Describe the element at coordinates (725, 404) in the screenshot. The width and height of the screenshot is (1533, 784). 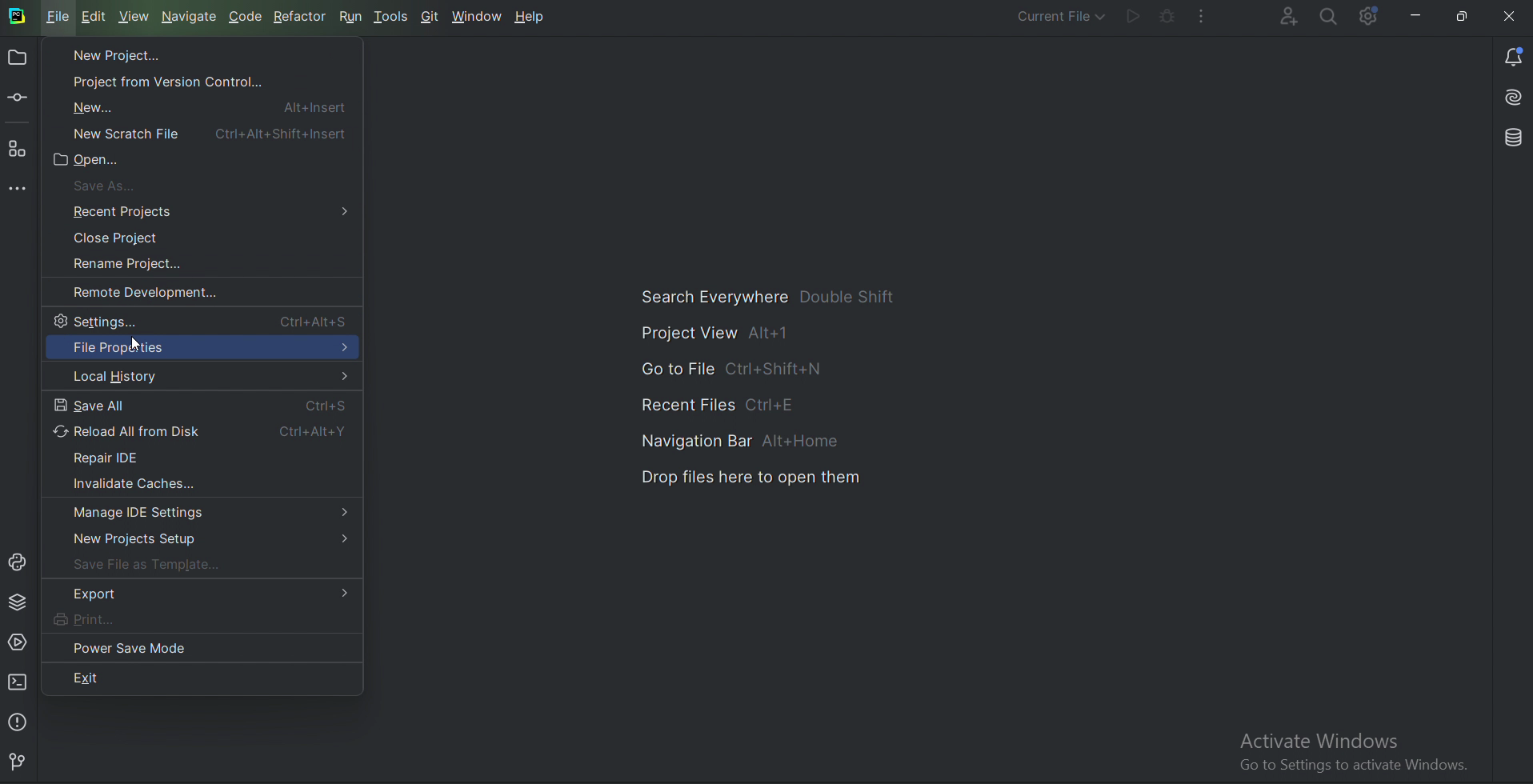
I see `Recent Files Ctrl+E` at that location.